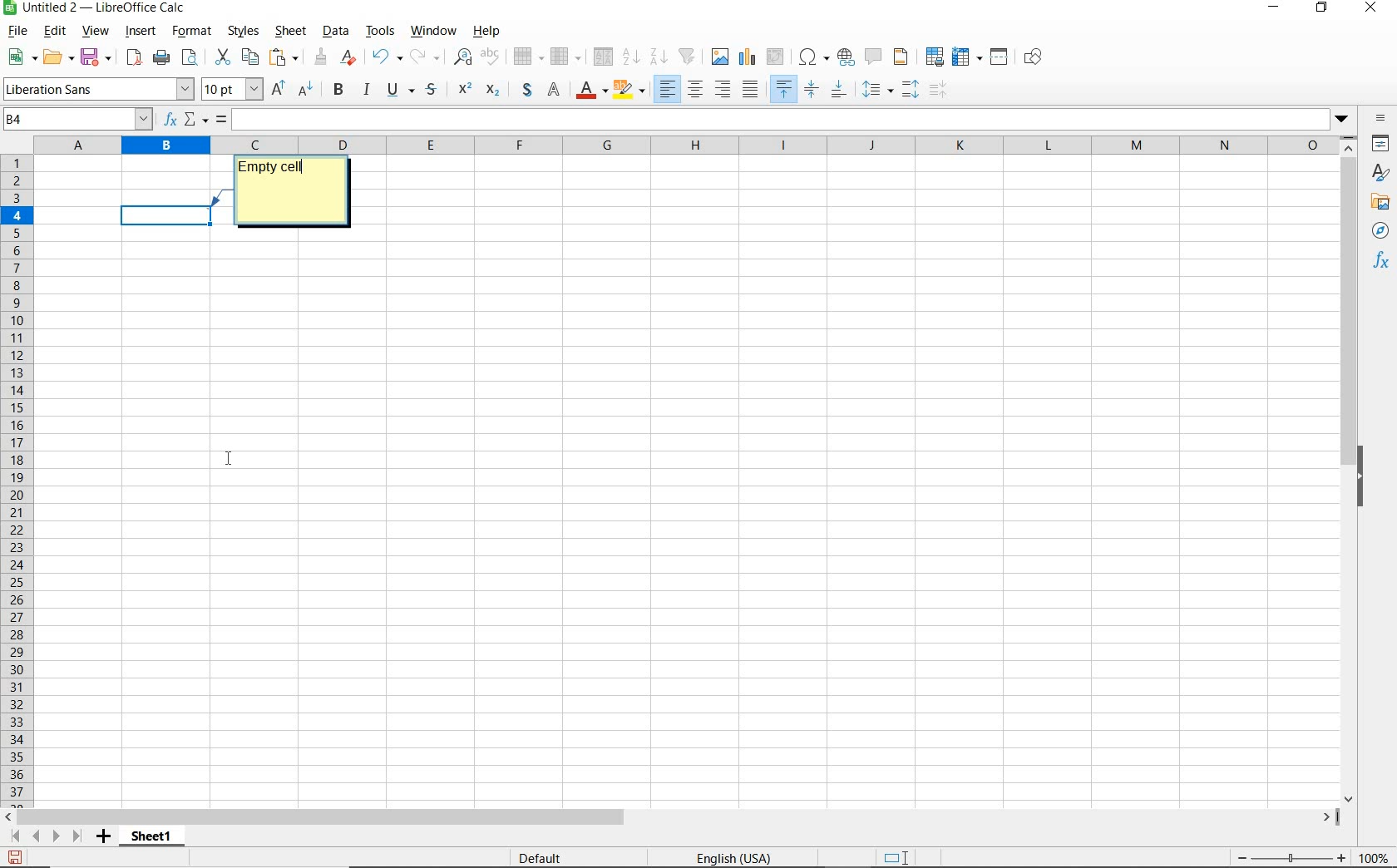 Image resolution: width=1397 pixels, height=868 pixels. Describe the element at coordinates (876, 91) in the screenshot. I see `line spacing dropdown menu` at that location.